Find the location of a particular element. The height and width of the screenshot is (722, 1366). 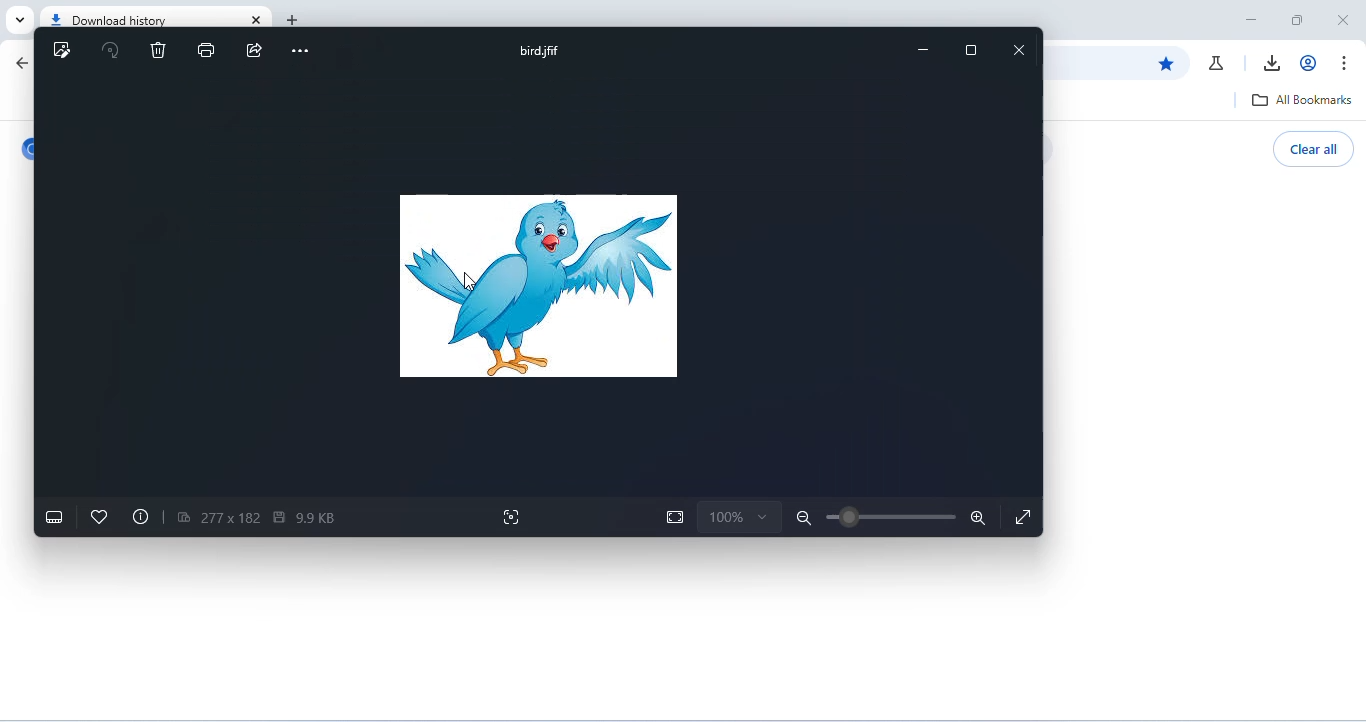

download history is located at coordinates (113, 19).